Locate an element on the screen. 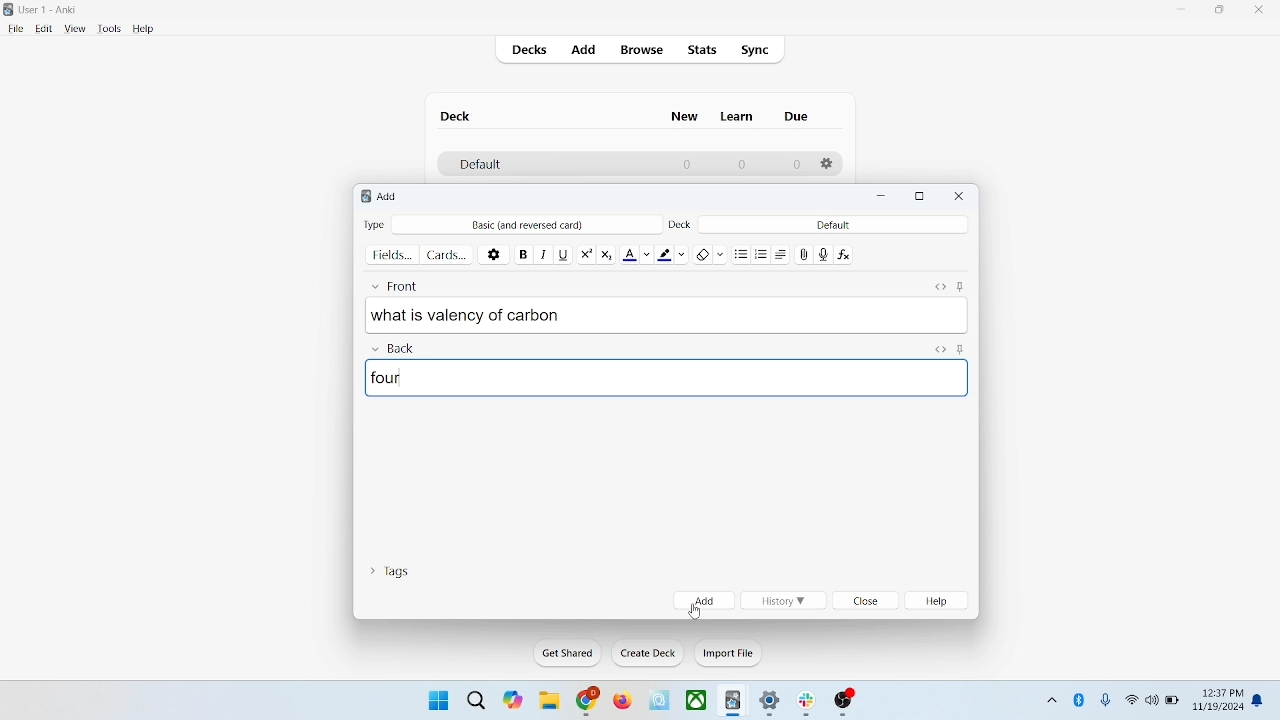  browse is located at coordinates (640, 49).